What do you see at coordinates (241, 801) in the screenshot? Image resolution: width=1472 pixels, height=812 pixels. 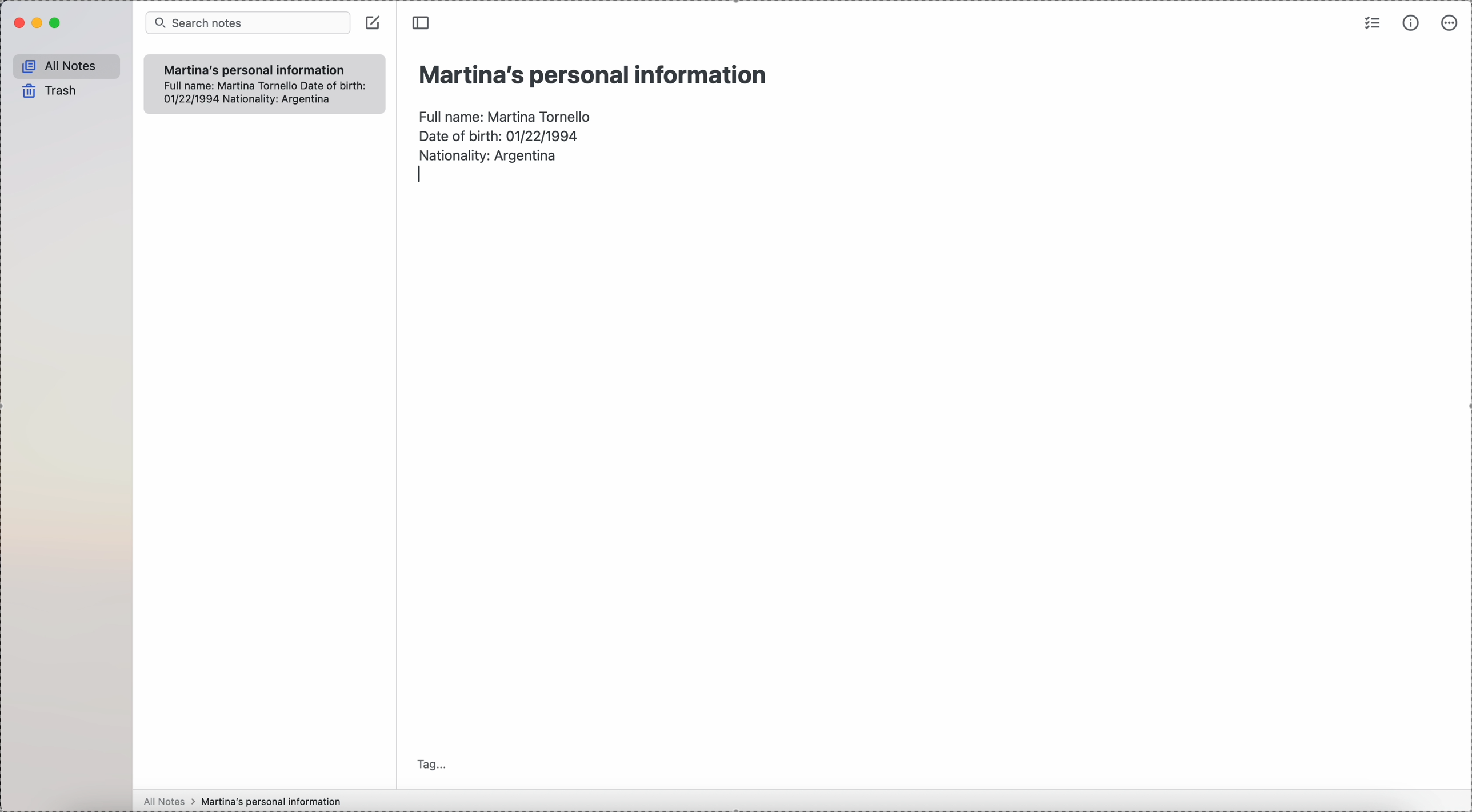 I see `all notes > Martina's personal information` at bounding box center [241, 801].